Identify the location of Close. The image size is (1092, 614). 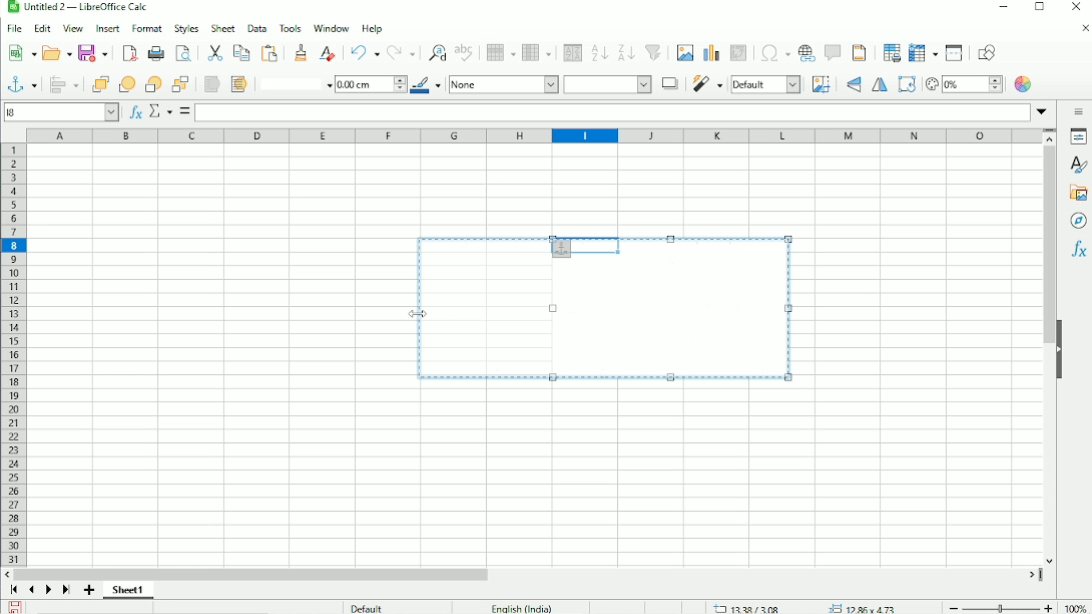
(1076, 7).